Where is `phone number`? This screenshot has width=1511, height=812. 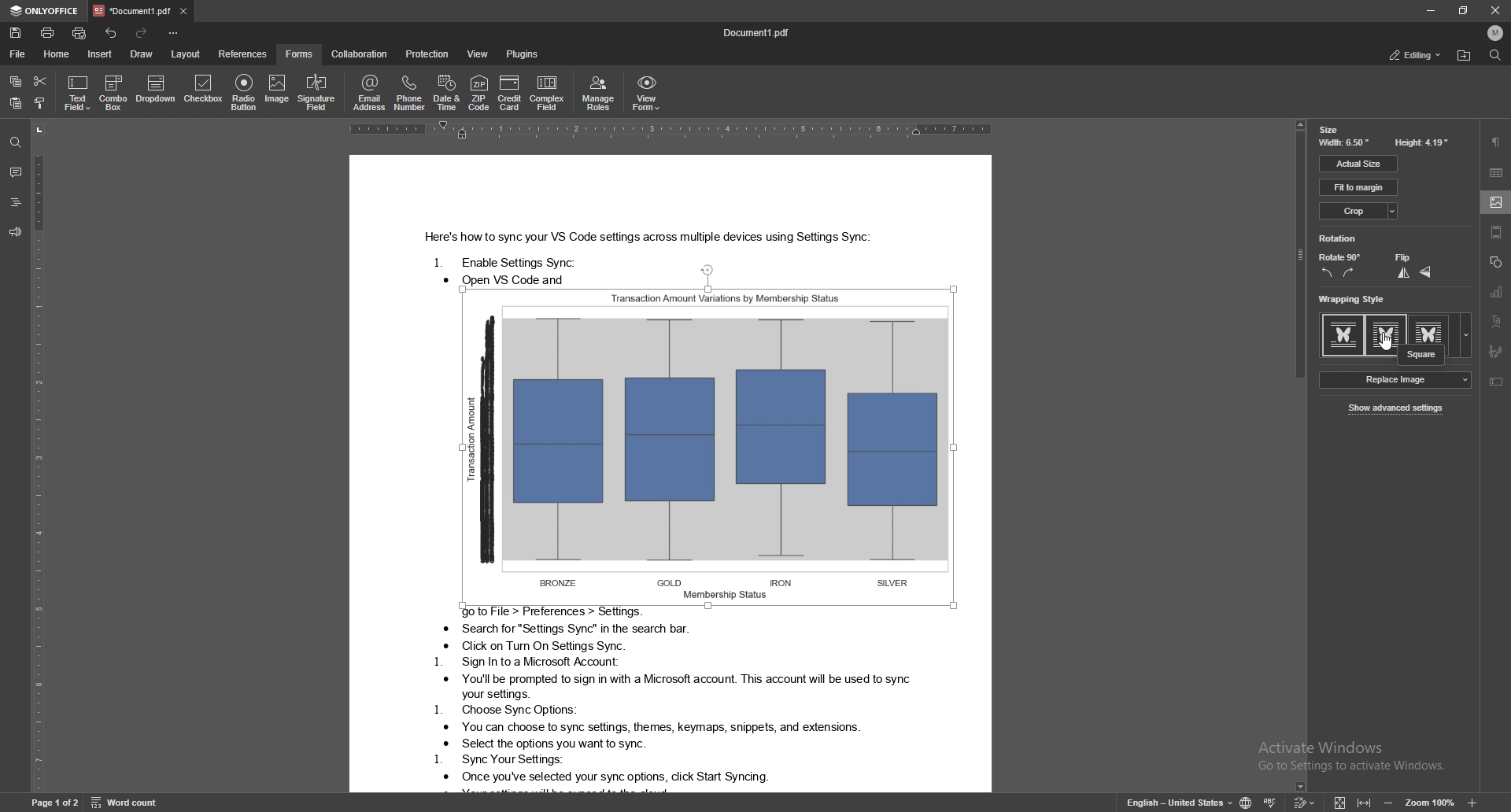
phone number is located at coordinates (409, 92).